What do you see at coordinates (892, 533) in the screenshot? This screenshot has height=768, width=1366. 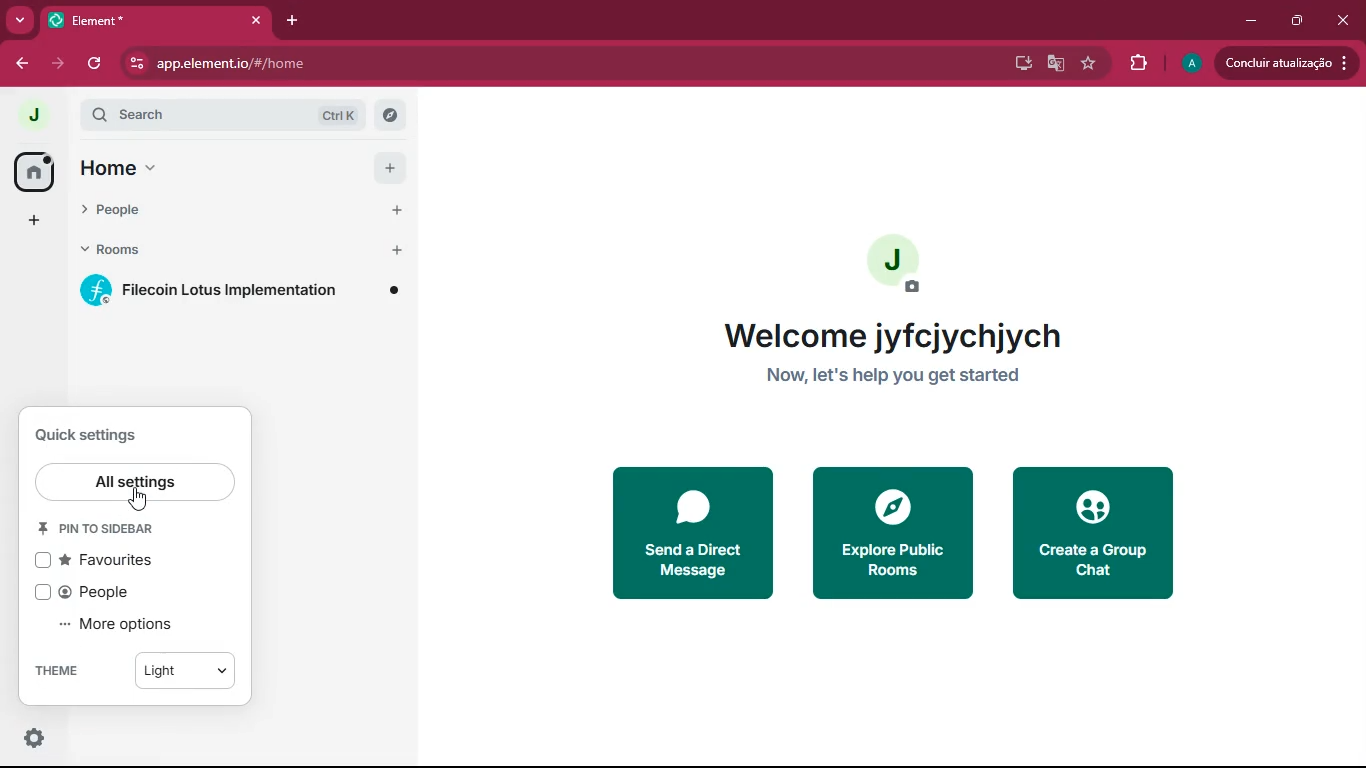 I see `explore public rooms` at bounding box center [892, 533].